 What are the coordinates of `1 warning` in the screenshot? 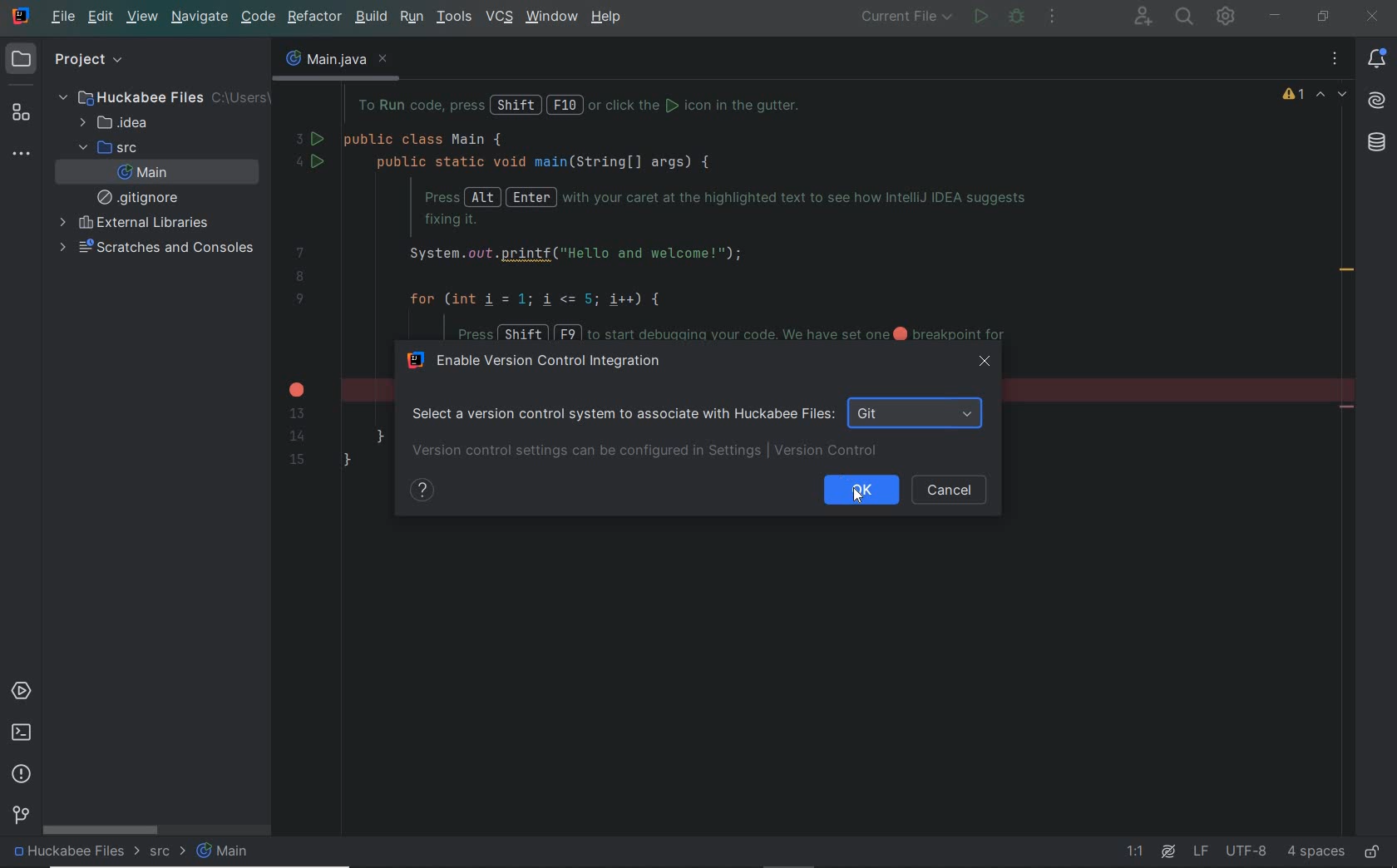 It's located at (1296, 97).